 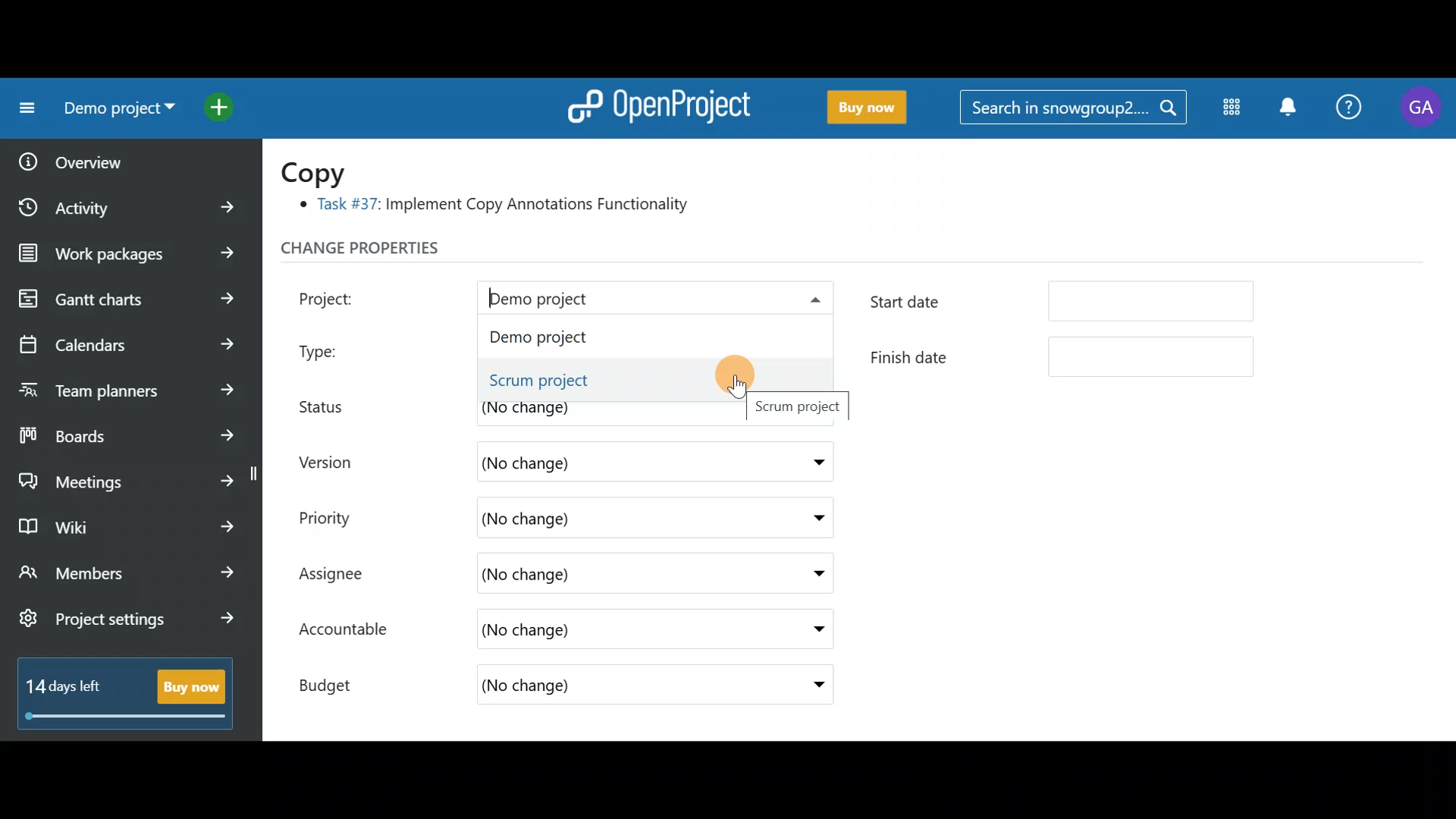 I want to click on Wiki, so click(x=124, y=522).